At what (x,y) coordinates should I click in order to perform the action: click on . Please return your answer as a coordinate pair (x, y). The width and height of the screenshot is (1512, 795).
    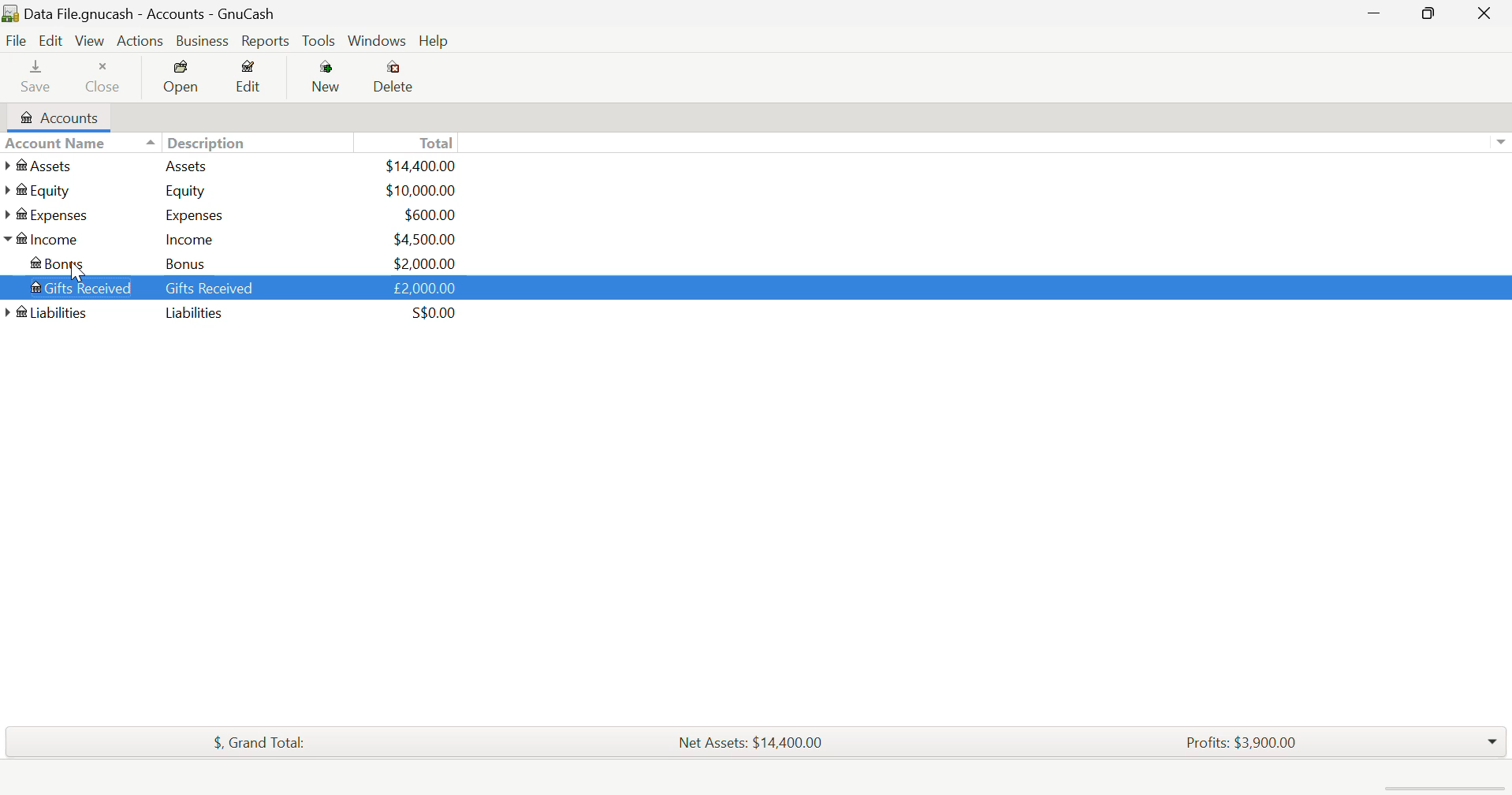
    Looking at the image, I should click on (46, 312).